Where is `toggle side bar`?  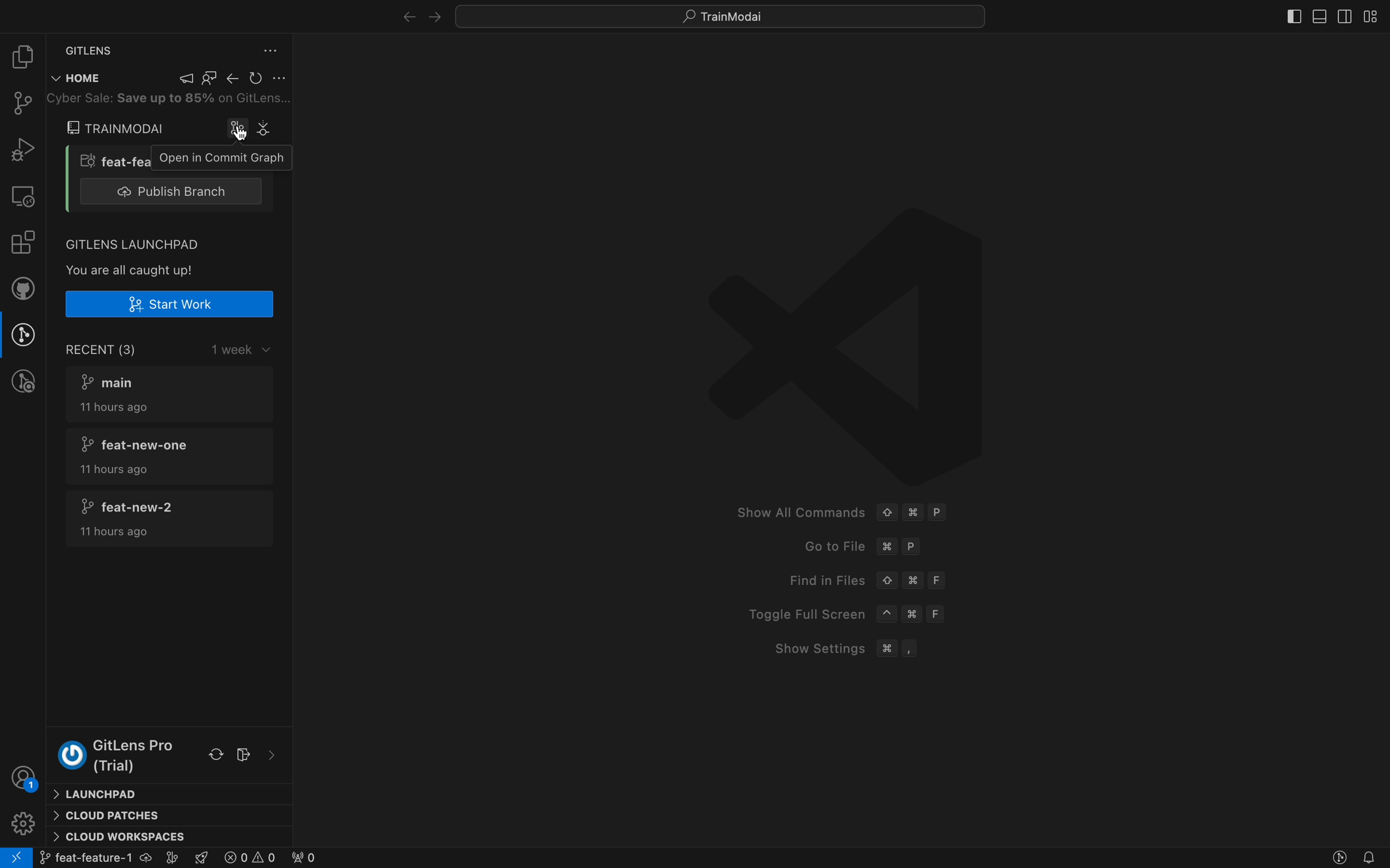
toggle side bar is located at coordinates (1289, 14).